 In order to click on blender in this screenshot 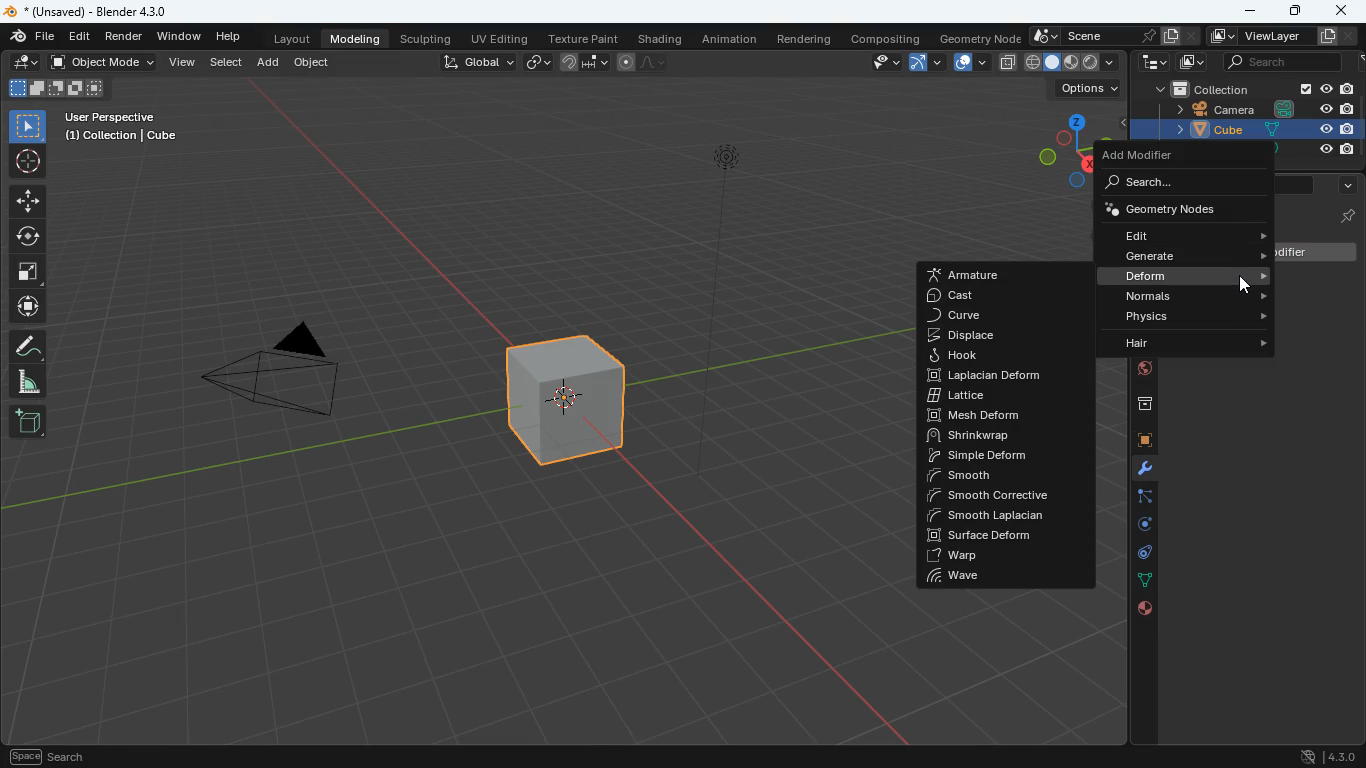, I will do `click(96, 10)`.